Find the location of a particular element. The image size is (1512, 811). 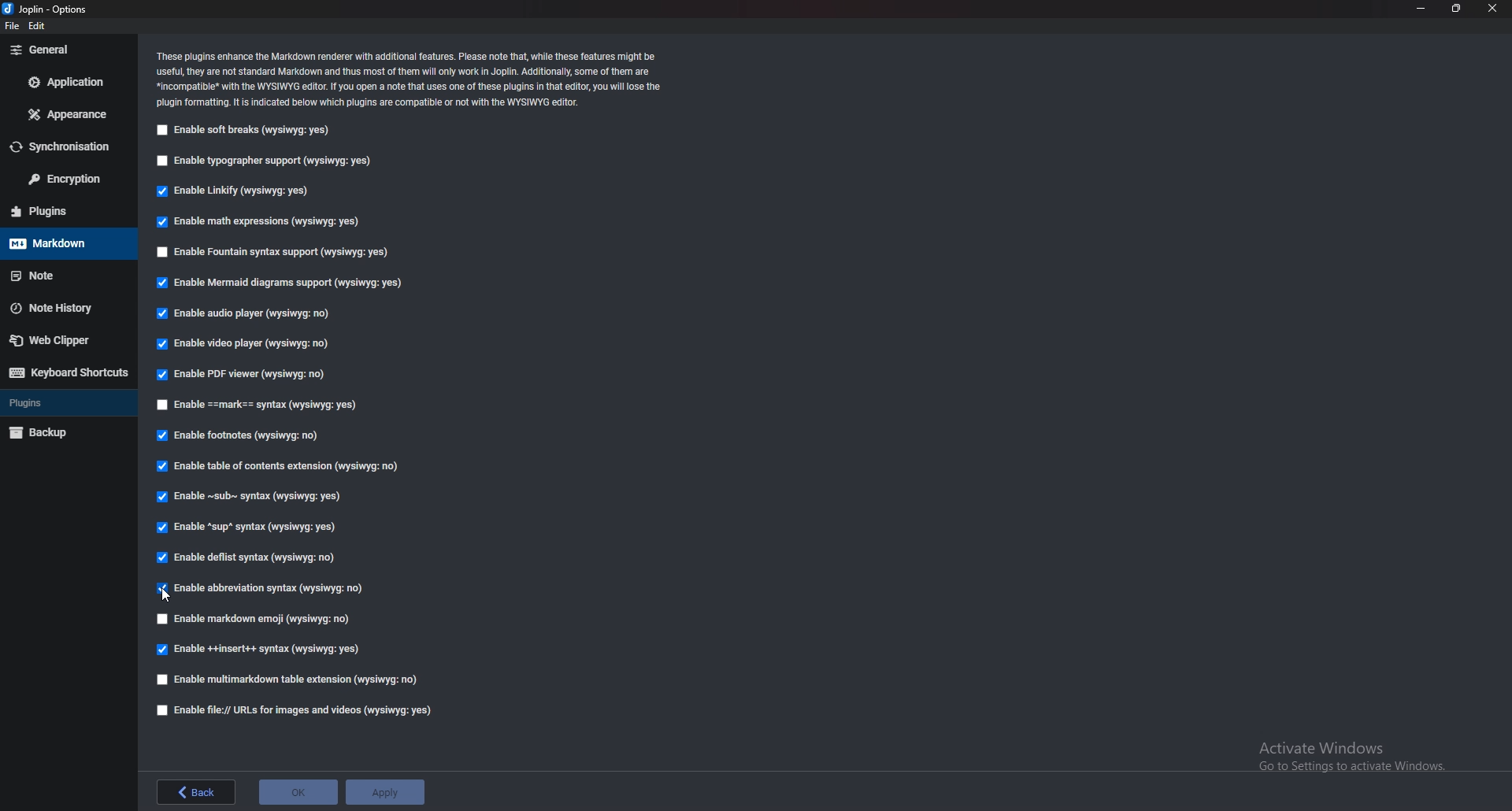

Enable sup syntax is located at coordinates (249, 526).